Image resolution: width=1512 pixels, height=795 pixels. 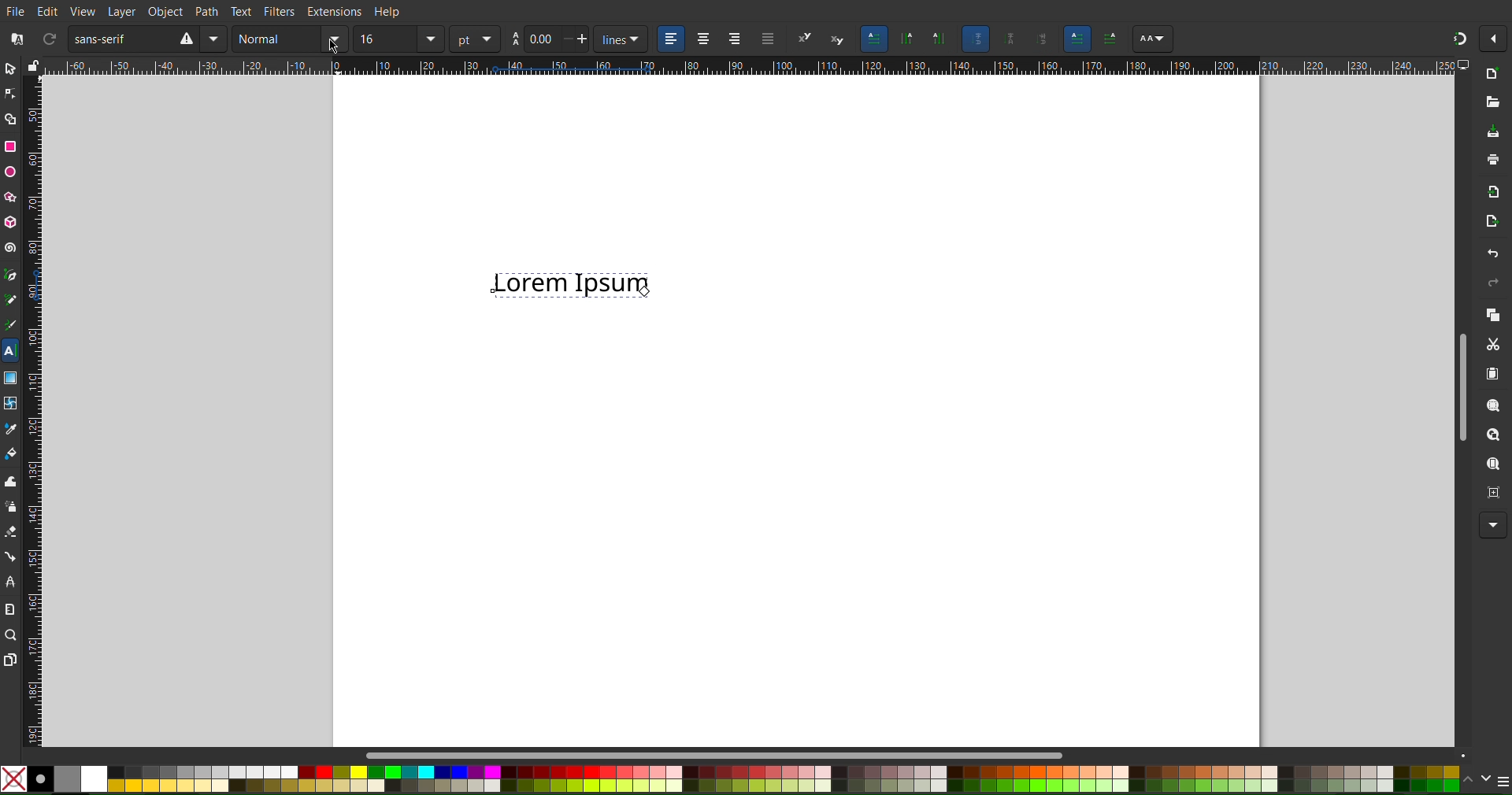 What do you see at coordinates (1077, 39) in the screenshot?
I see `Left to Right` at bounding box center [1077, 39].